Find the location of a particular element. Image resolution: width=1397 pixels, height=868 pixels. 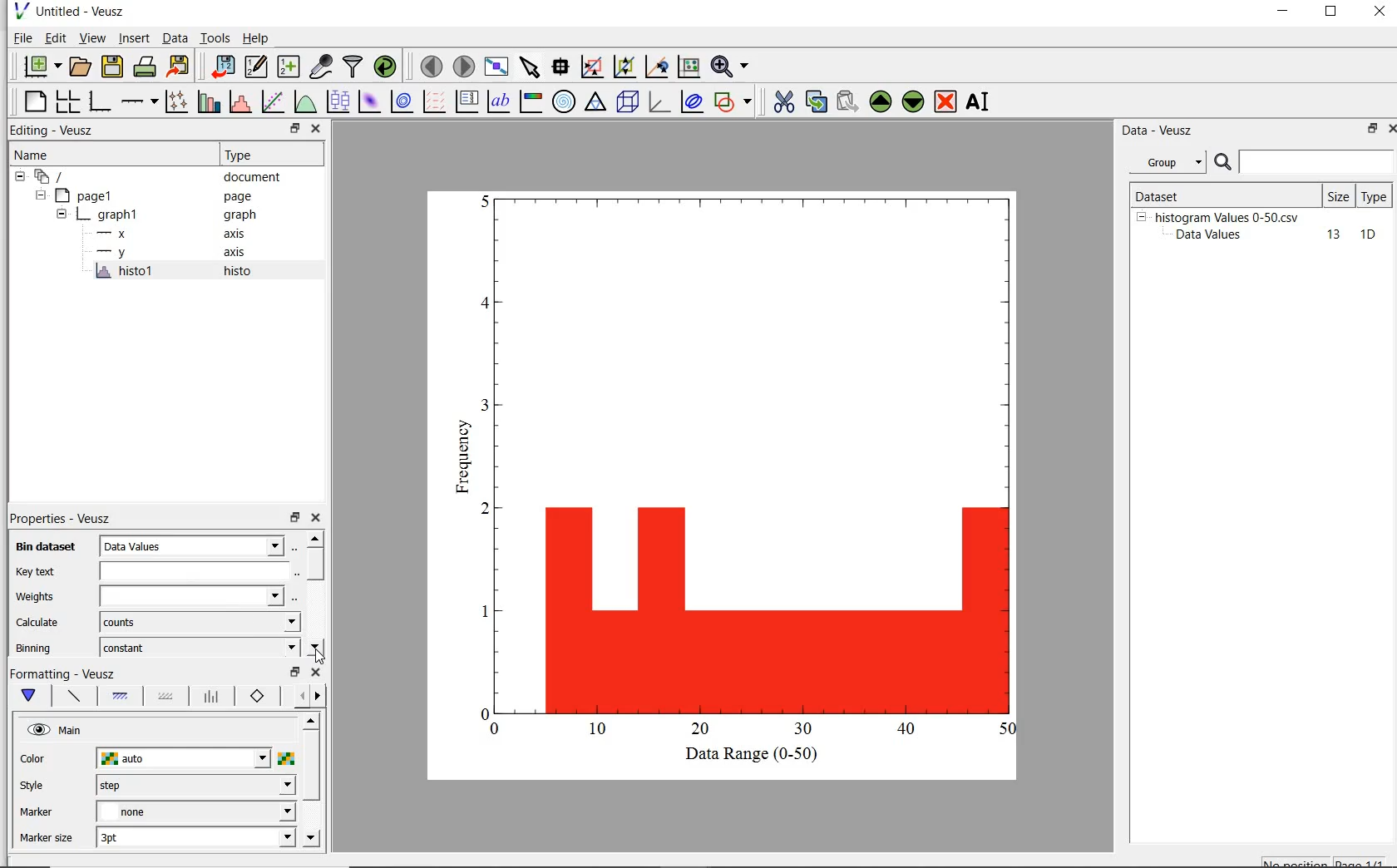

blank page is located at coordinates (36, 101).